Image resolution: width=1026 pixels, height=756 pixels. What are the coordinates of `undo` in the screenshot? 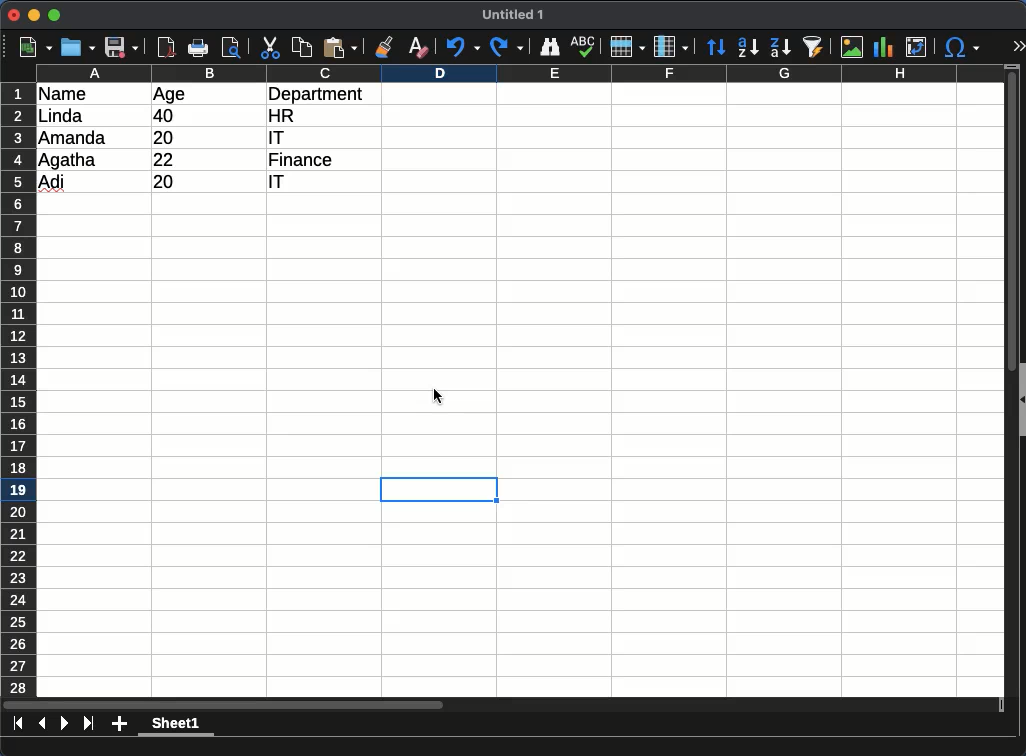 It's located at (463, 48).